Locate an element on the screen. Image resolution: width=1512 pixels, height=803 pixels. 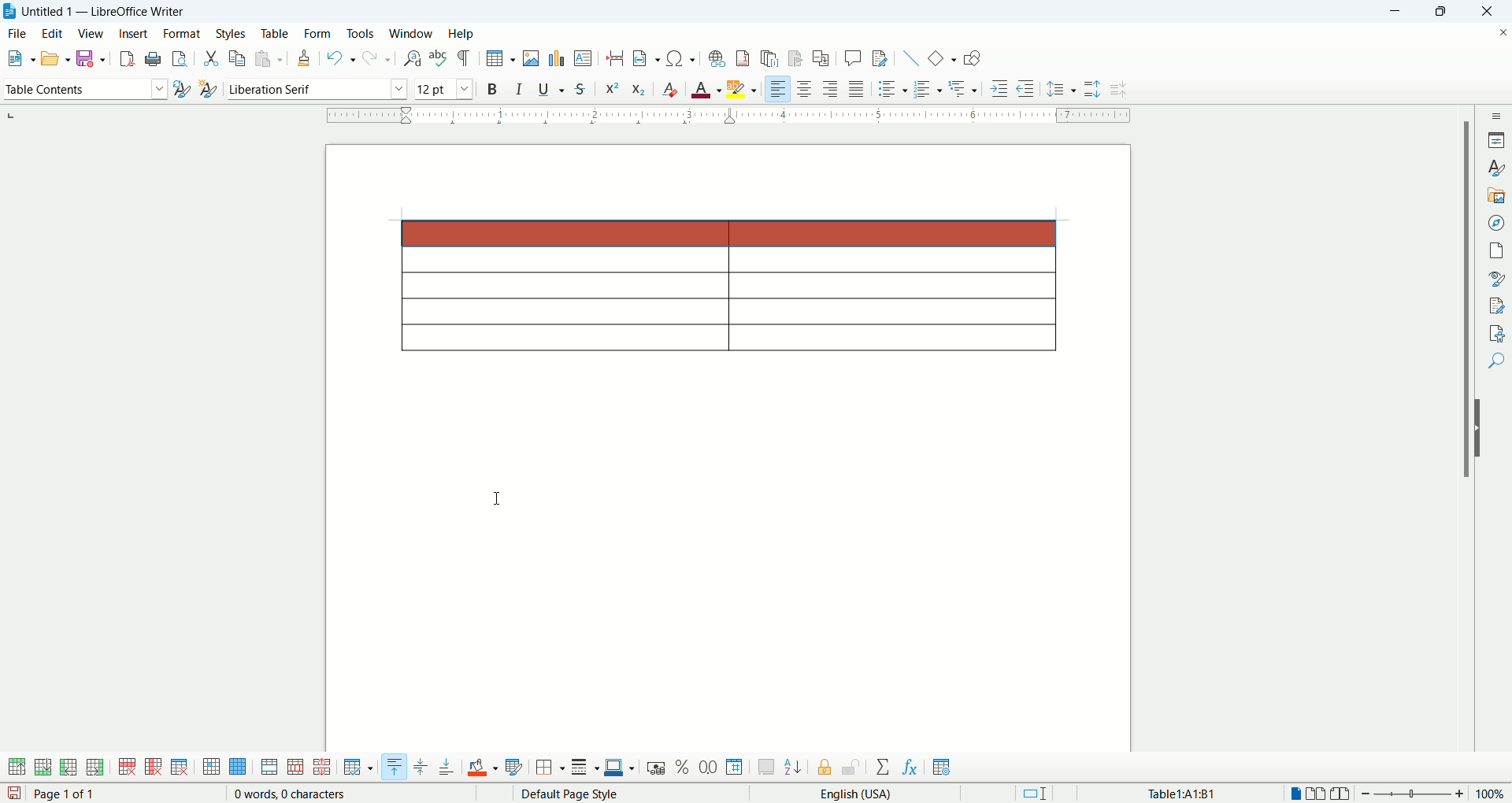
clear direct formatting is located at coordinates (669, 87).